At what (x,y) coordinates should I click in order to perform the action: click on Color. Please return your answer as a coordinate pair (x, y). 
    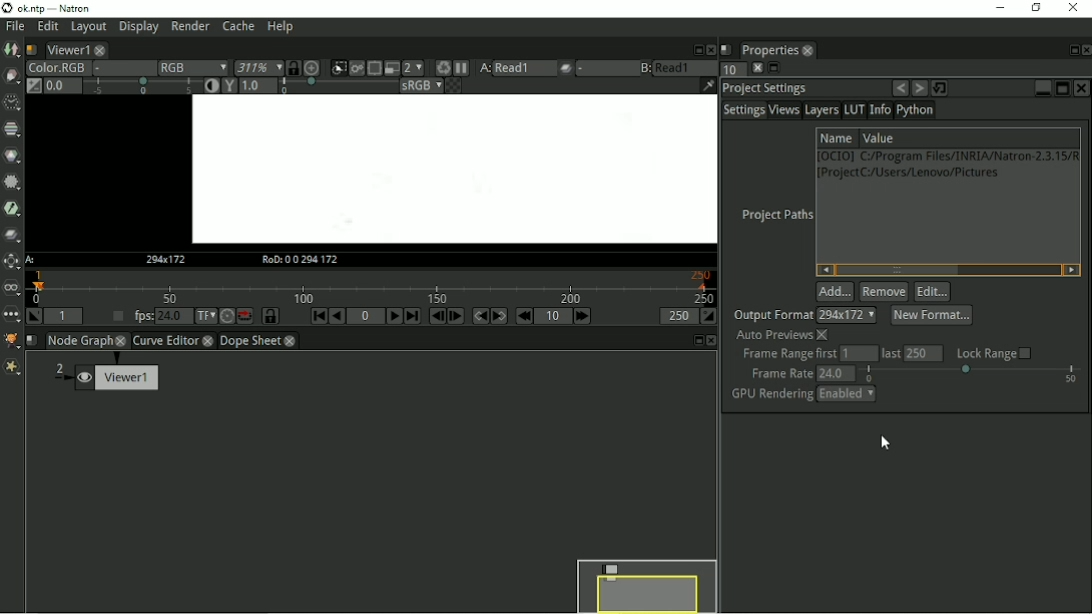
    Looking at the image, I should click on (12, 155).